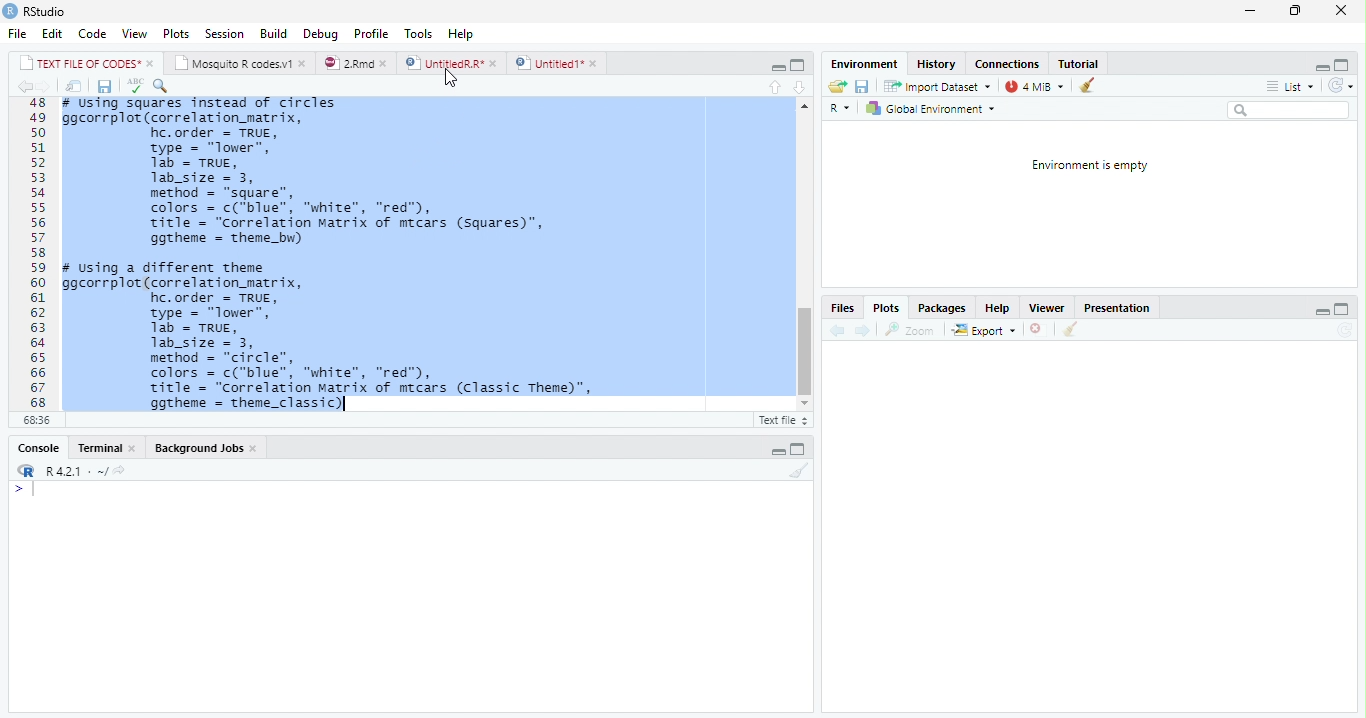  I want to click on  Global Environment +, so click(937, 109).